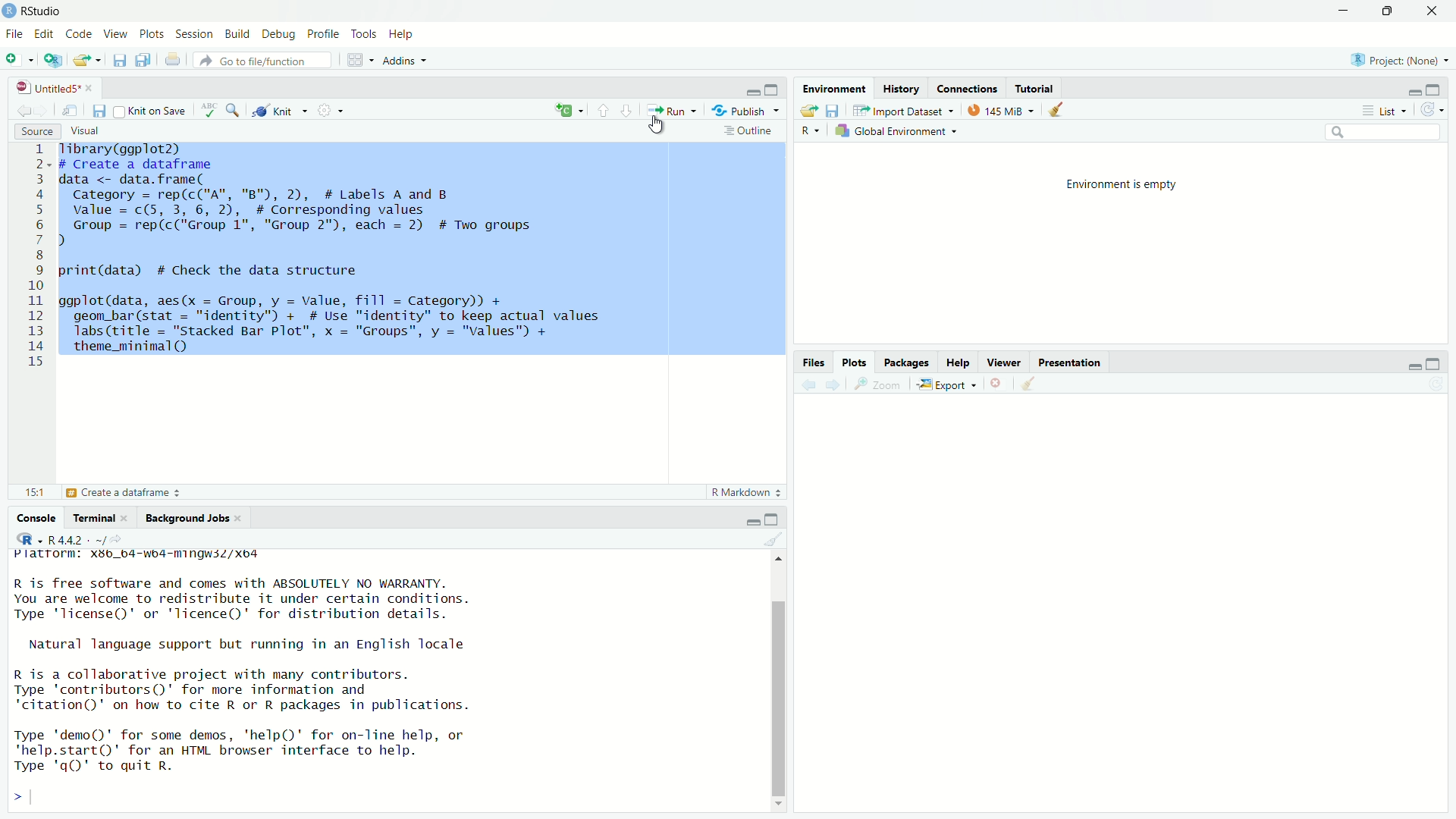  I want to click on R Markdown 2, so click(744, 493).